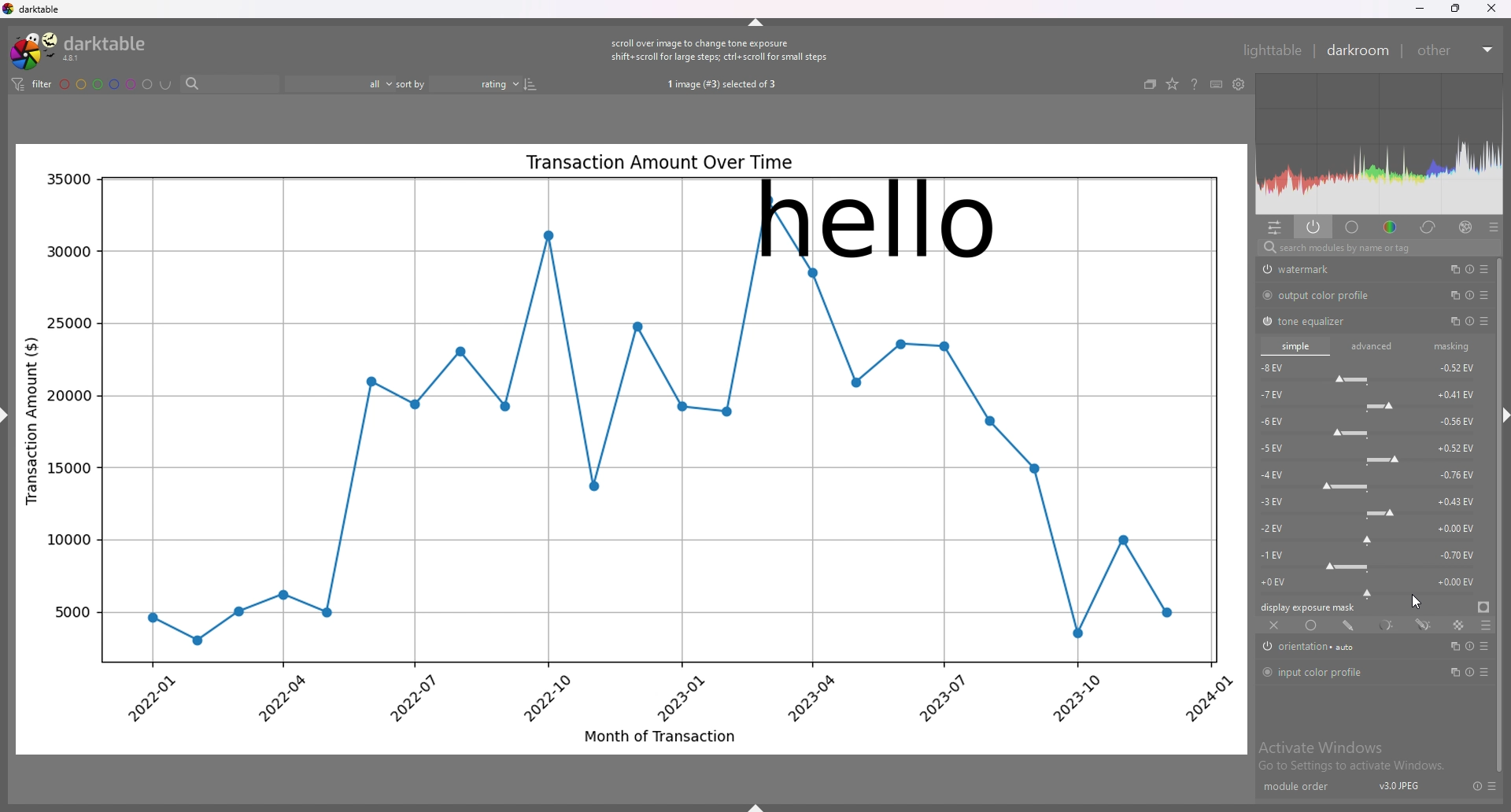  Describe the element at coordinates (1448, 346) in the screenshot. I see `masking` at that location.